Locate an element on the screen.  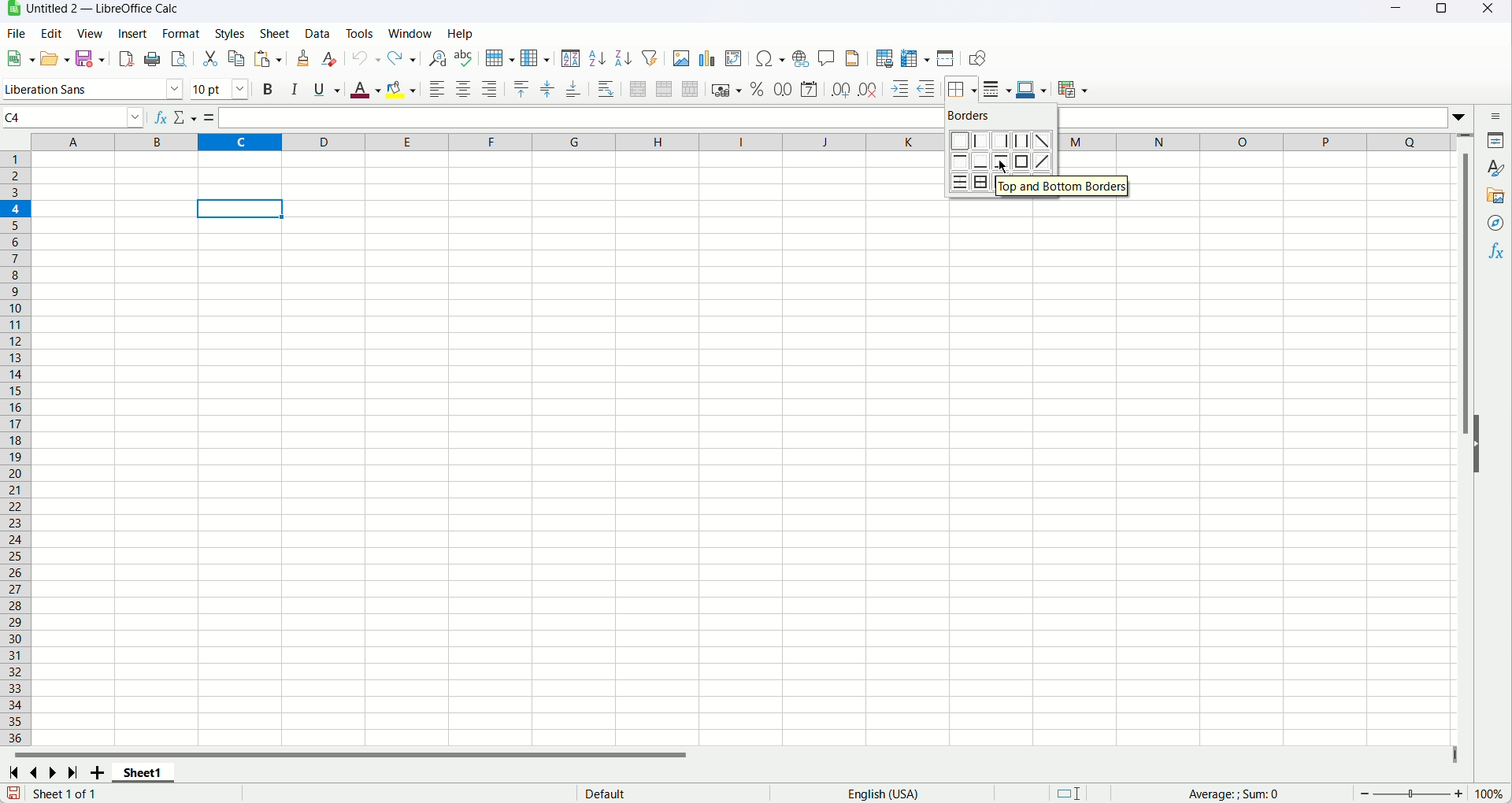
Standard selection is located at coordinates (1067, 793).